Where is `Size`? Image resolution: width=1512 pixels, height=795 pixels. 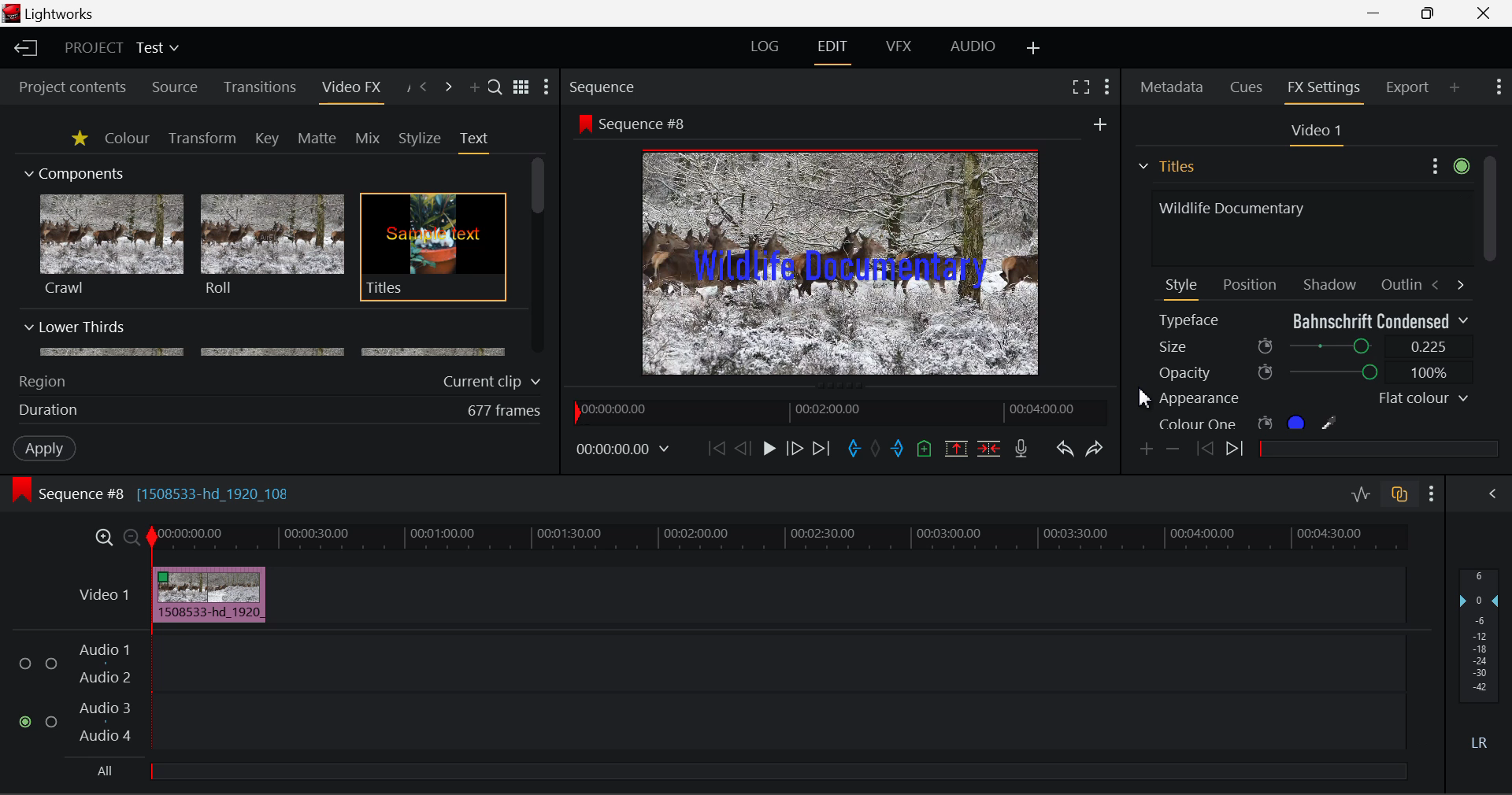
Size is located at coordinates (1315, 345).